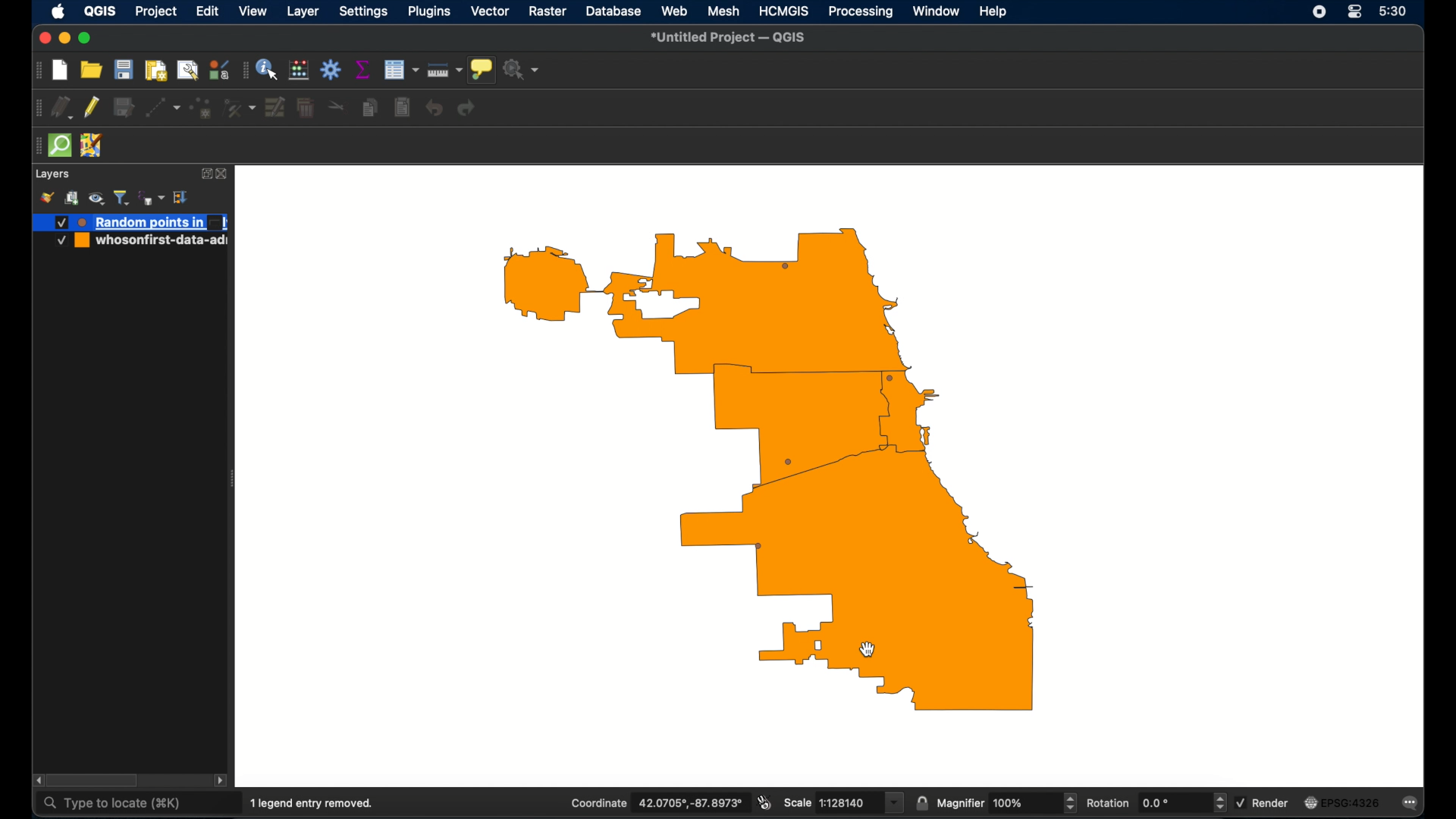 The height and width of the screenshot is (819, 1456). What do you see at coordinates (132, 222) in the screenshot?
I see `new layer` at bounding box center [132, 222].